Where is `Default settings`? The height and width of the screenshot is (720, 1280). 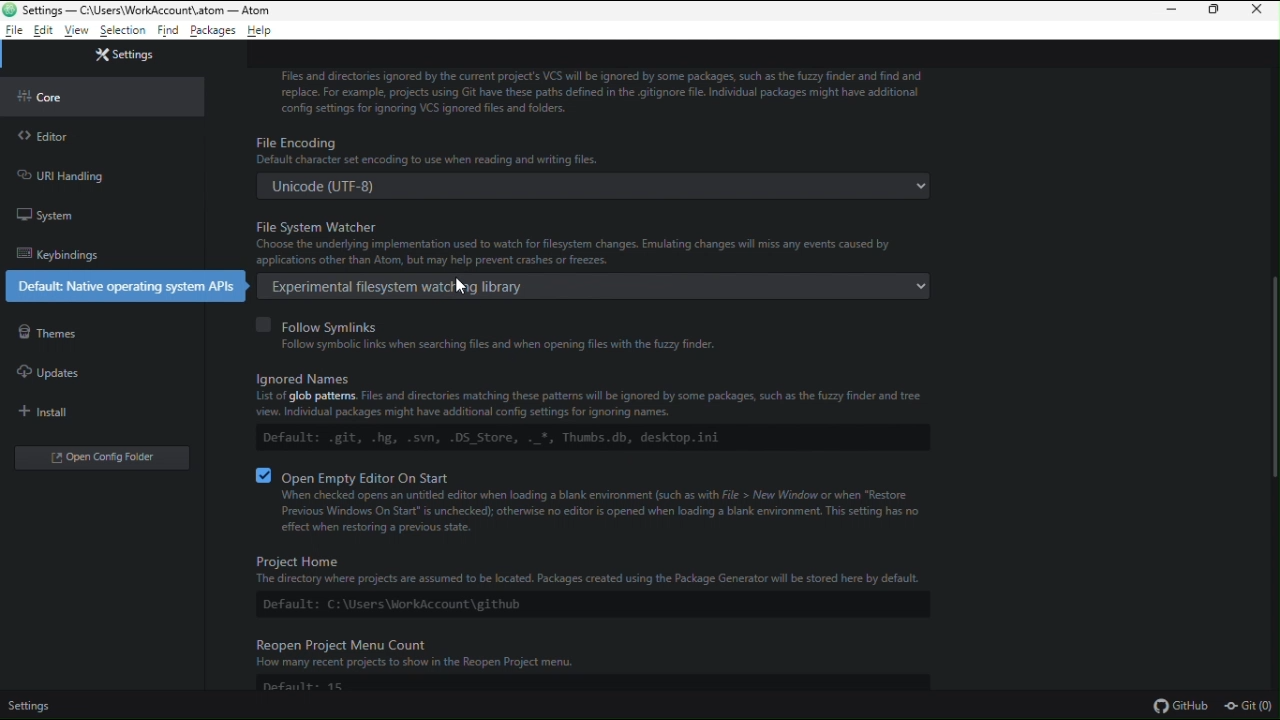
Default settings is located at coordinates (123, 286).